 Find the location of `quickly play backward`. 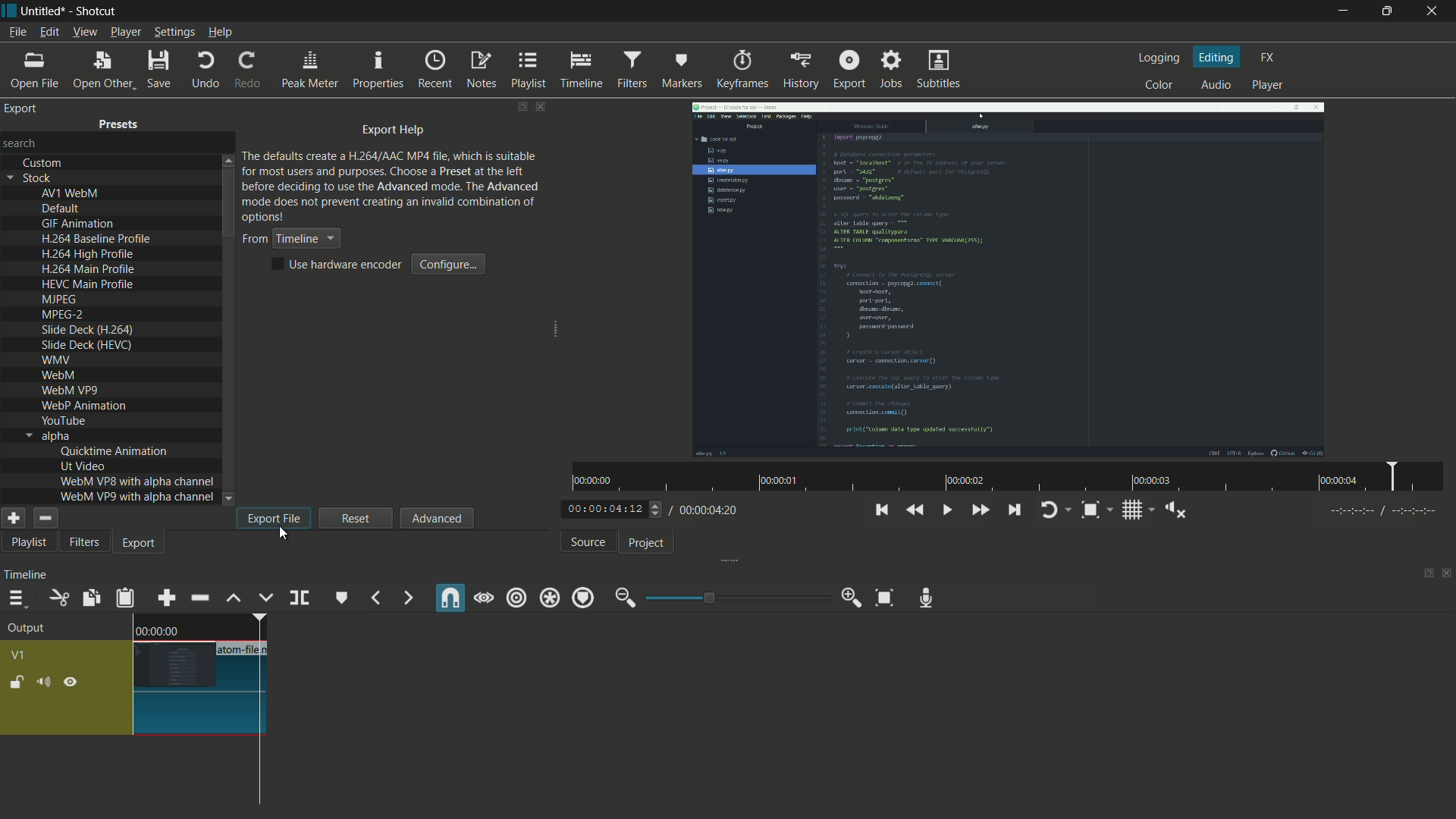

quickly play backward is located at coordinates (916, 508).